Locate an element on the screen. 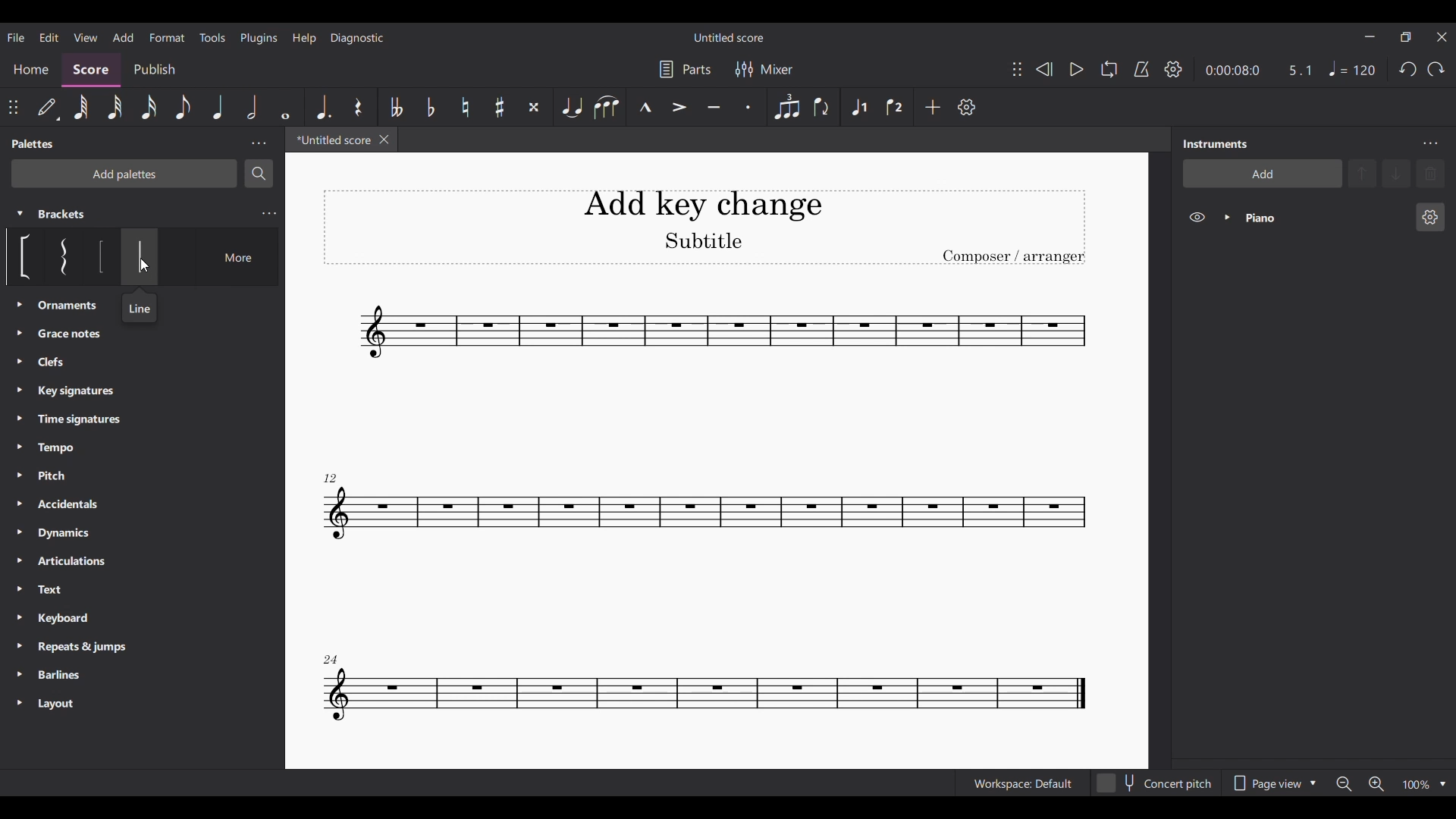  Customize toolbar is located at coordinates (966, 107).